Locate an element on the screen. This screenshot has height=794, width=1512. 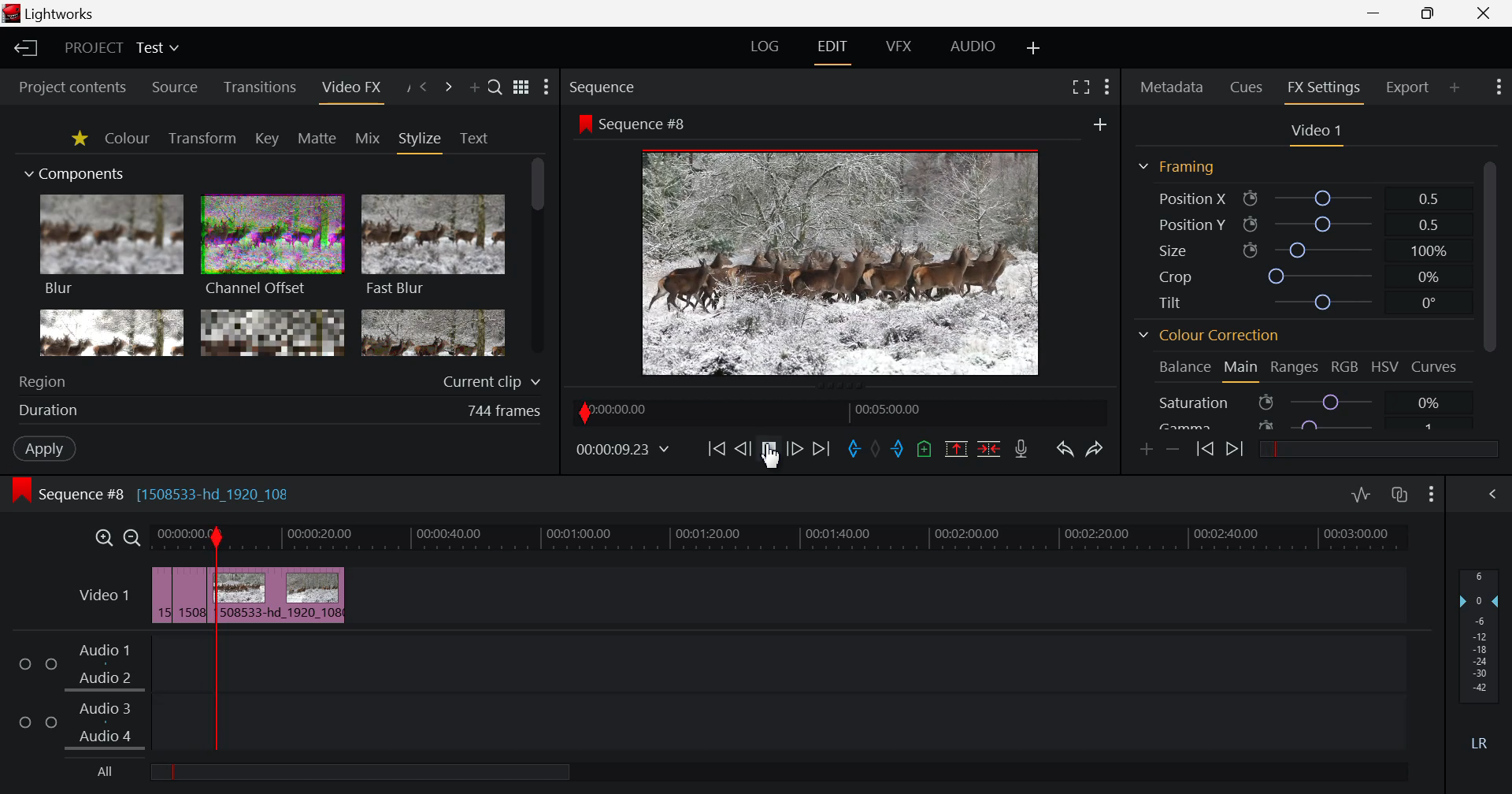
Delete/Cut is located at coordinates (989, 449).